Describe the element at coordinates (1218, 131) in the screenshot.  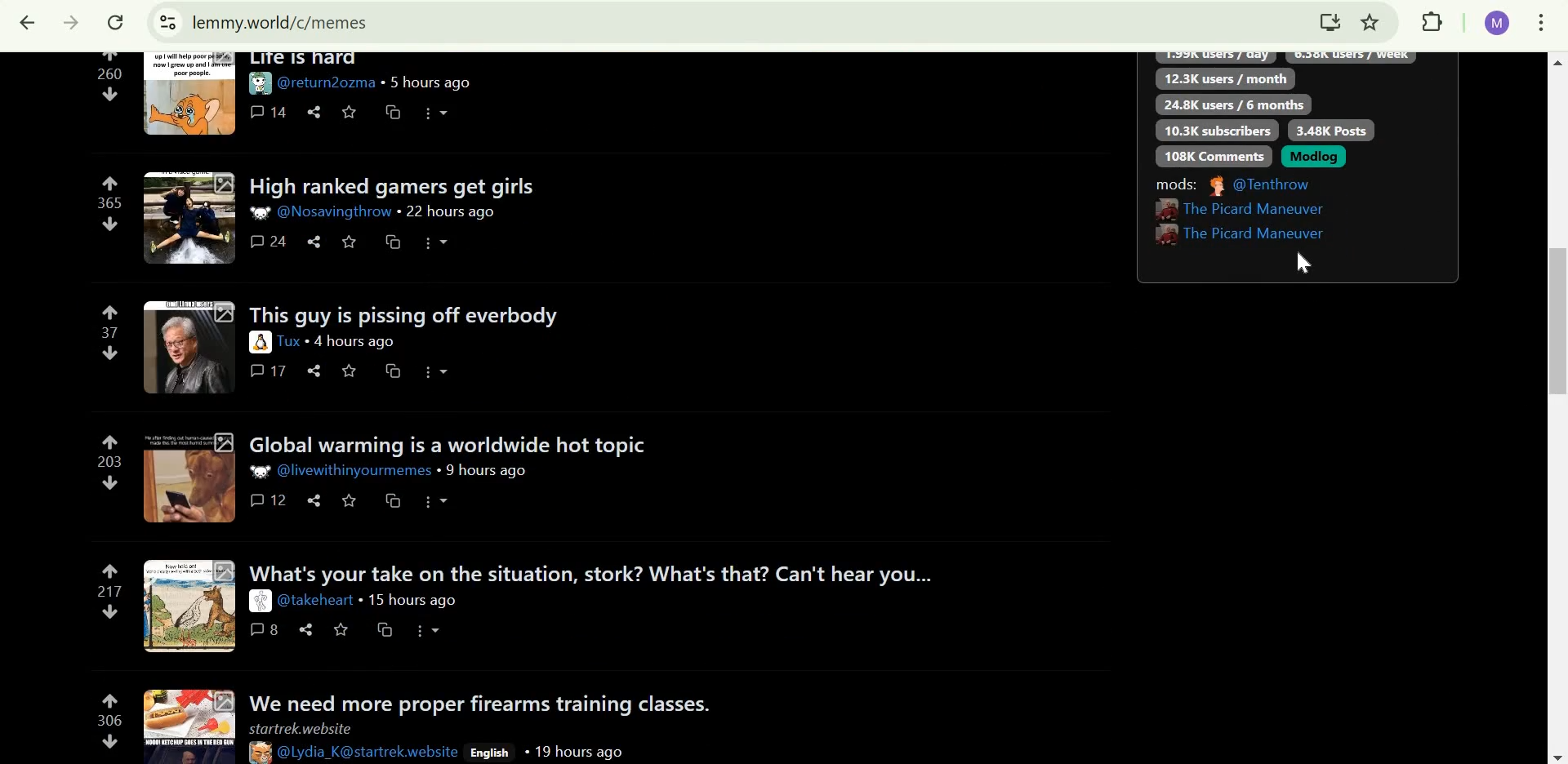
I see `10.3K subscribers` at that location.